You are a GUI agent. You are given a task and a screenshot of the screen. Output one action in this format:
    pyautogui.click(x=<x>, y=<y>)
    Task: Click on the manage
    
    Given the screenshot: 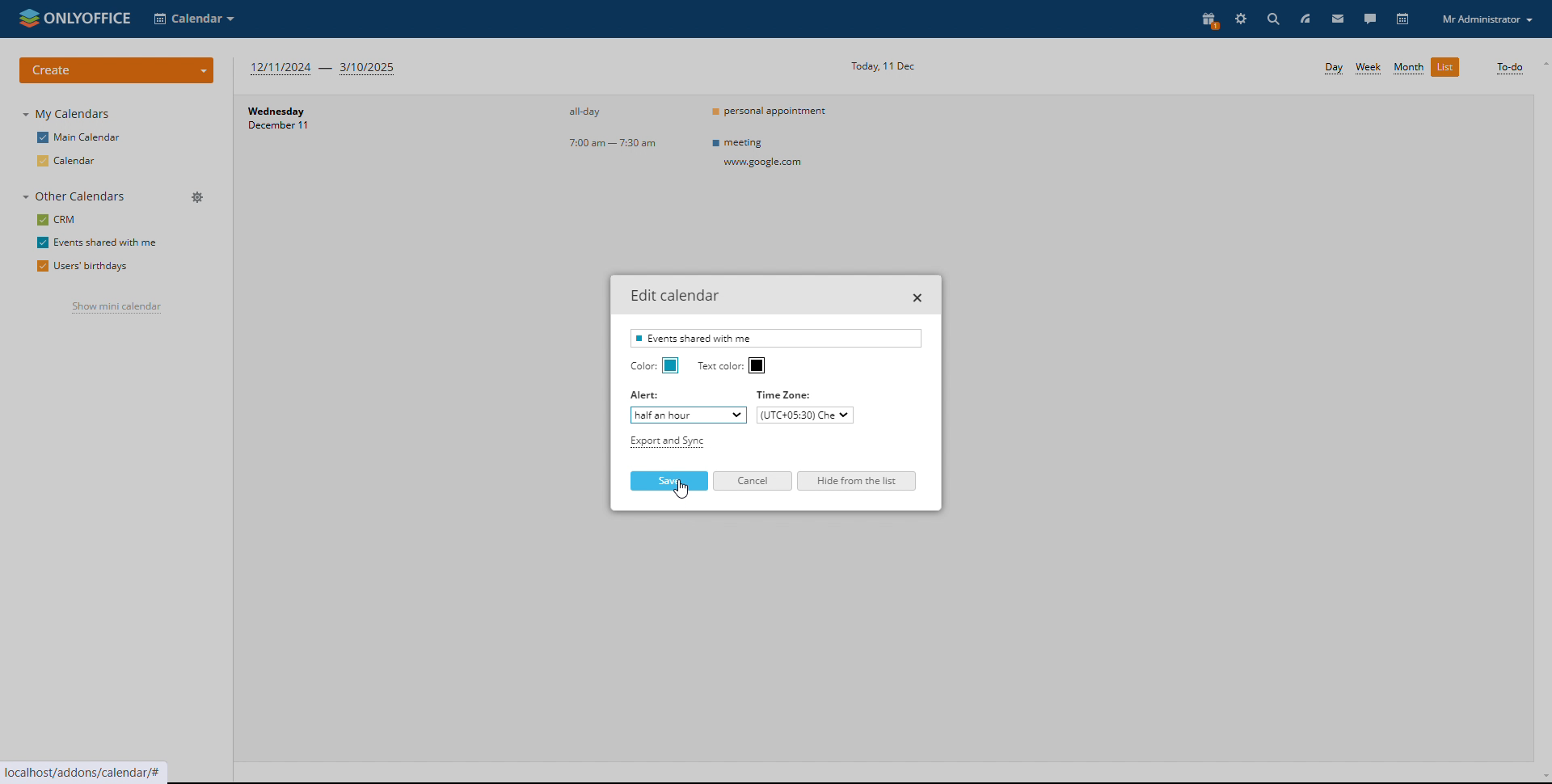 What is the action you would take?
    pyautogui.click(x=200, y=198)
    